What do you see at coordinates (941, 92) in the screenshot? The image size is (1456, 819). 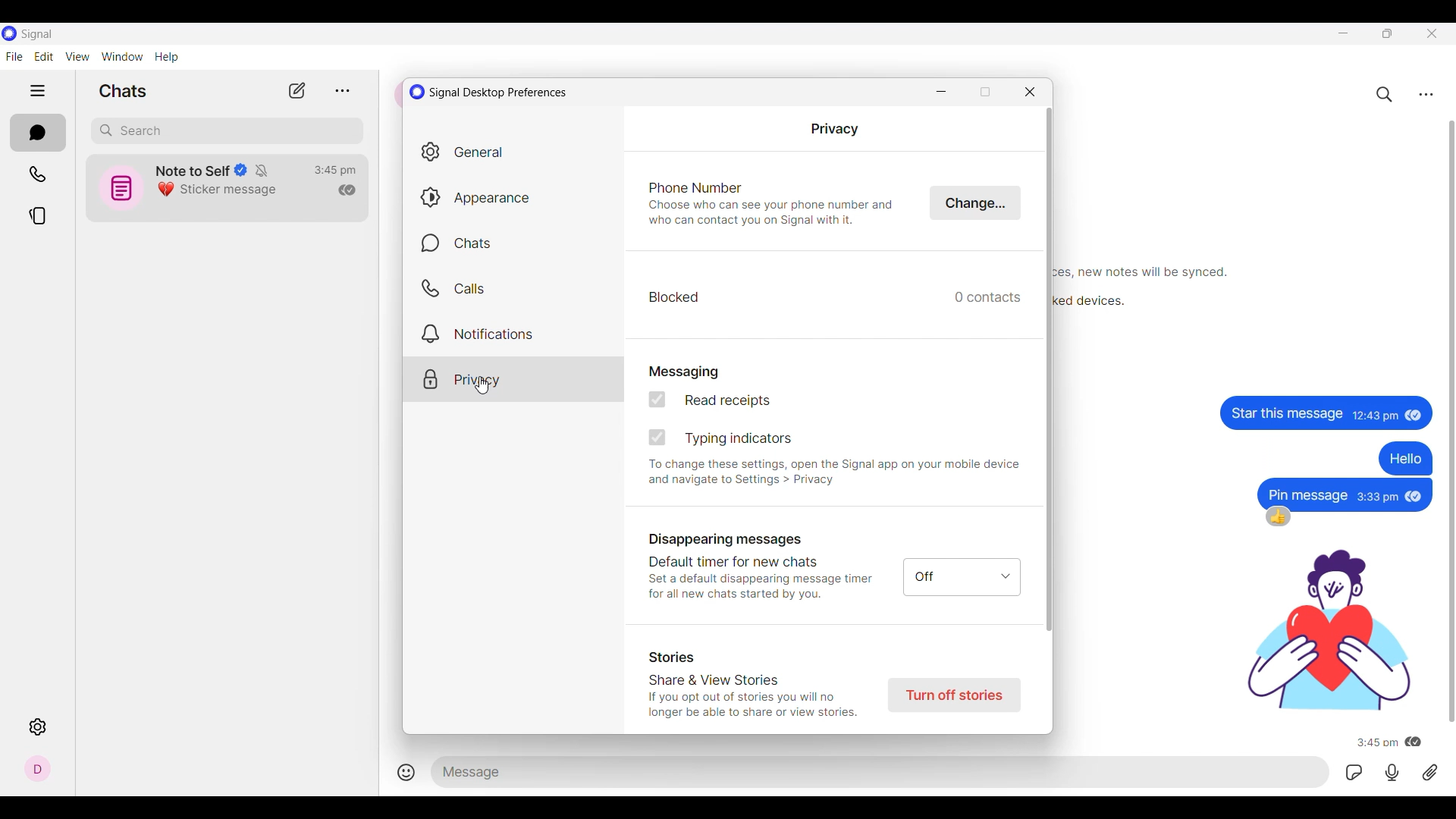 I see `Minimize window ` at bounding box center [941, 92].